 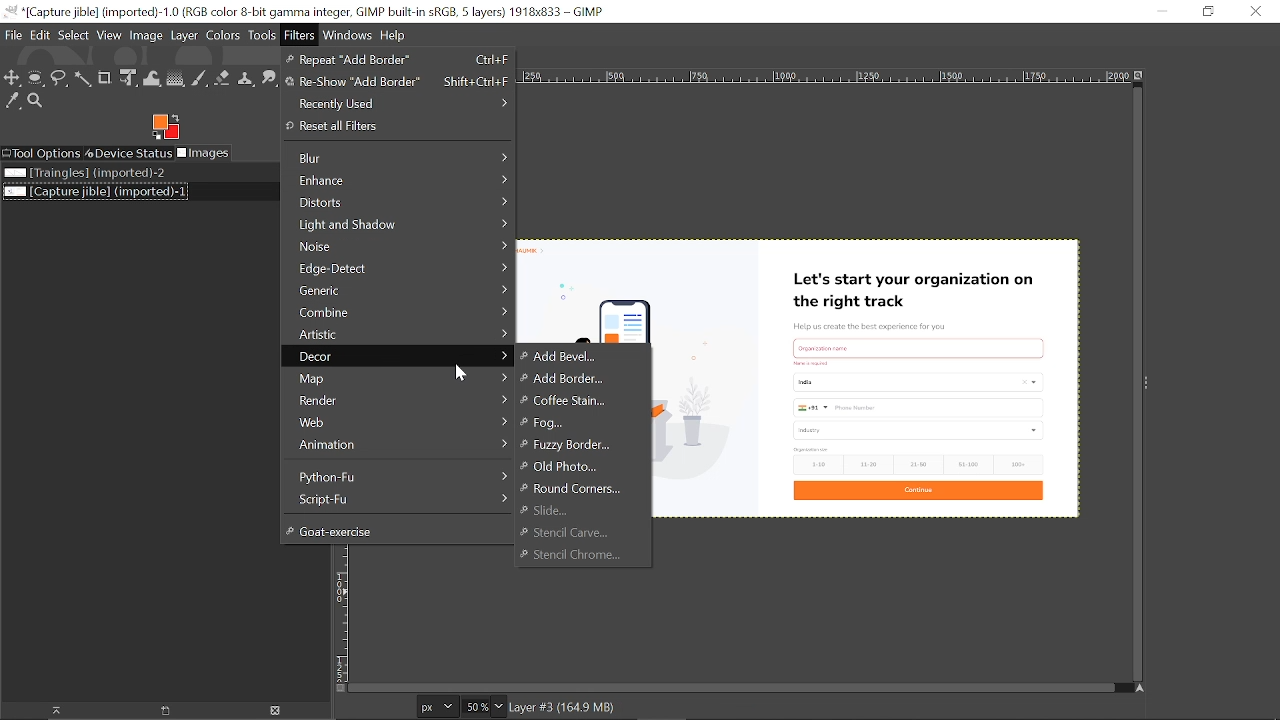 What do you see at coordinates (300, 35) in the screenshot?
I see `Filters` at bounding box center [300, 35].